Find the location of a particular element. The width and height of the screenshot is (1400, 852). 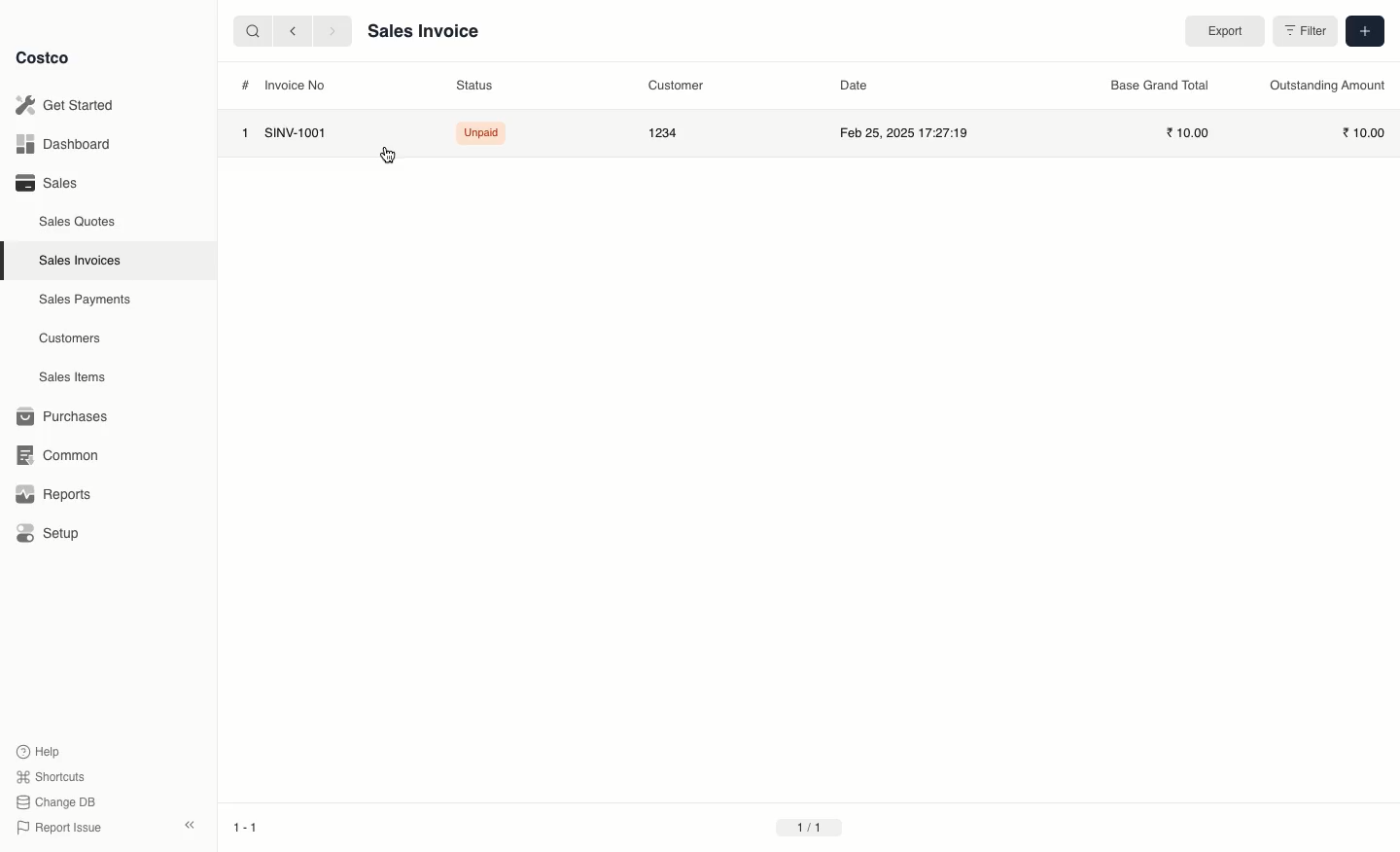

Feb 25, 2025 17:27:19 is located at coordinates (908, 135).